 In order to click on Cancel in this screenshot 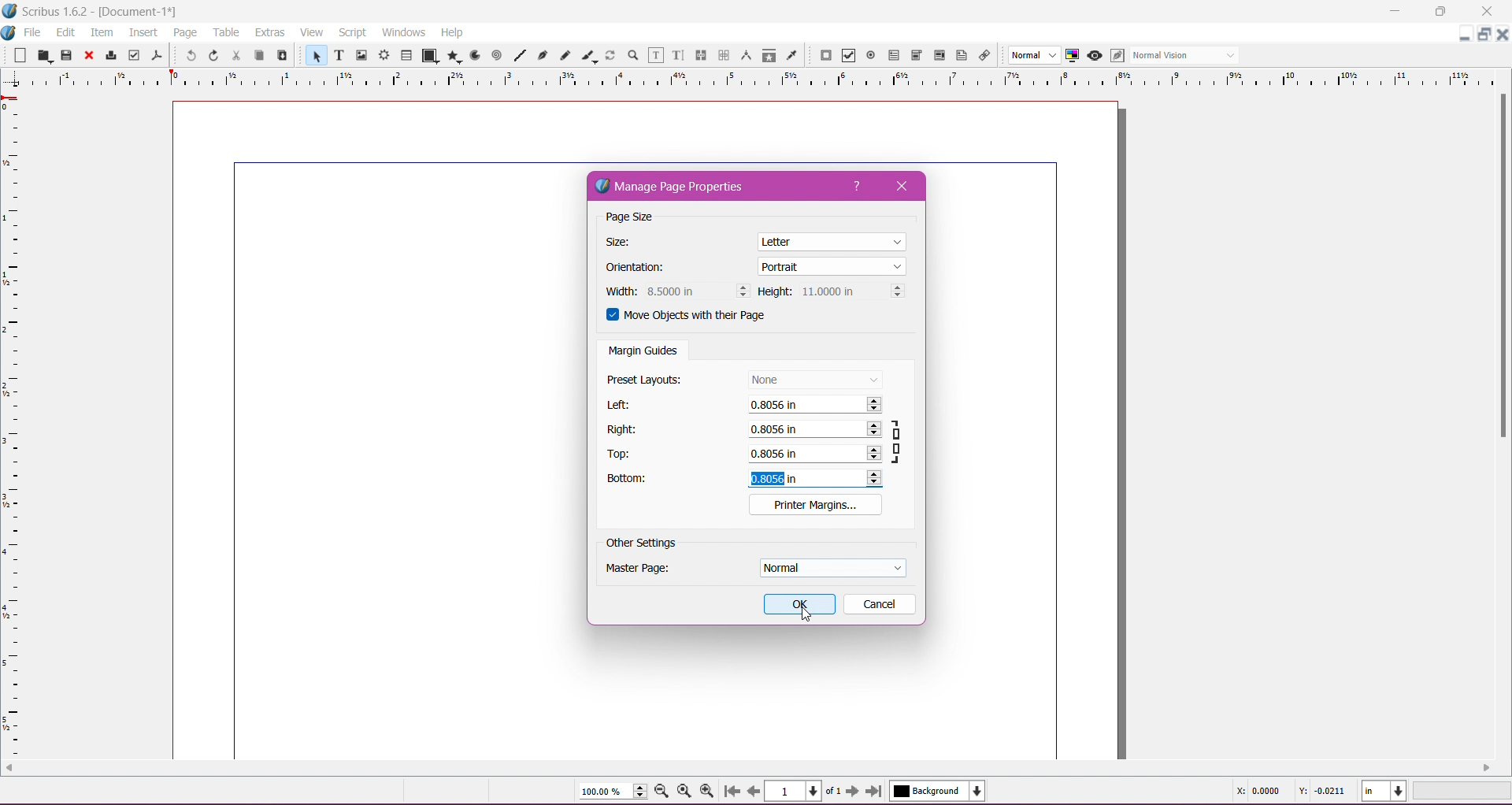, I will do `click(878, 603)`.